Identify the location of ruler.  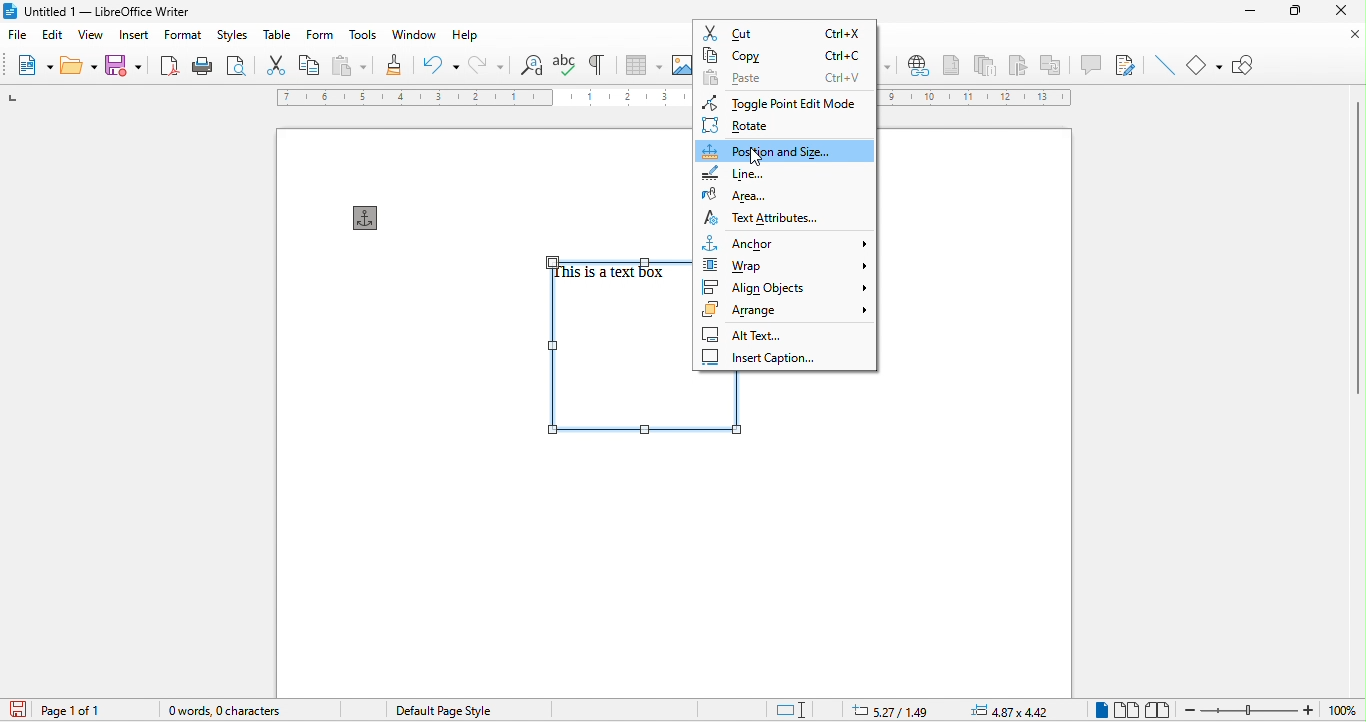
(477, 99).